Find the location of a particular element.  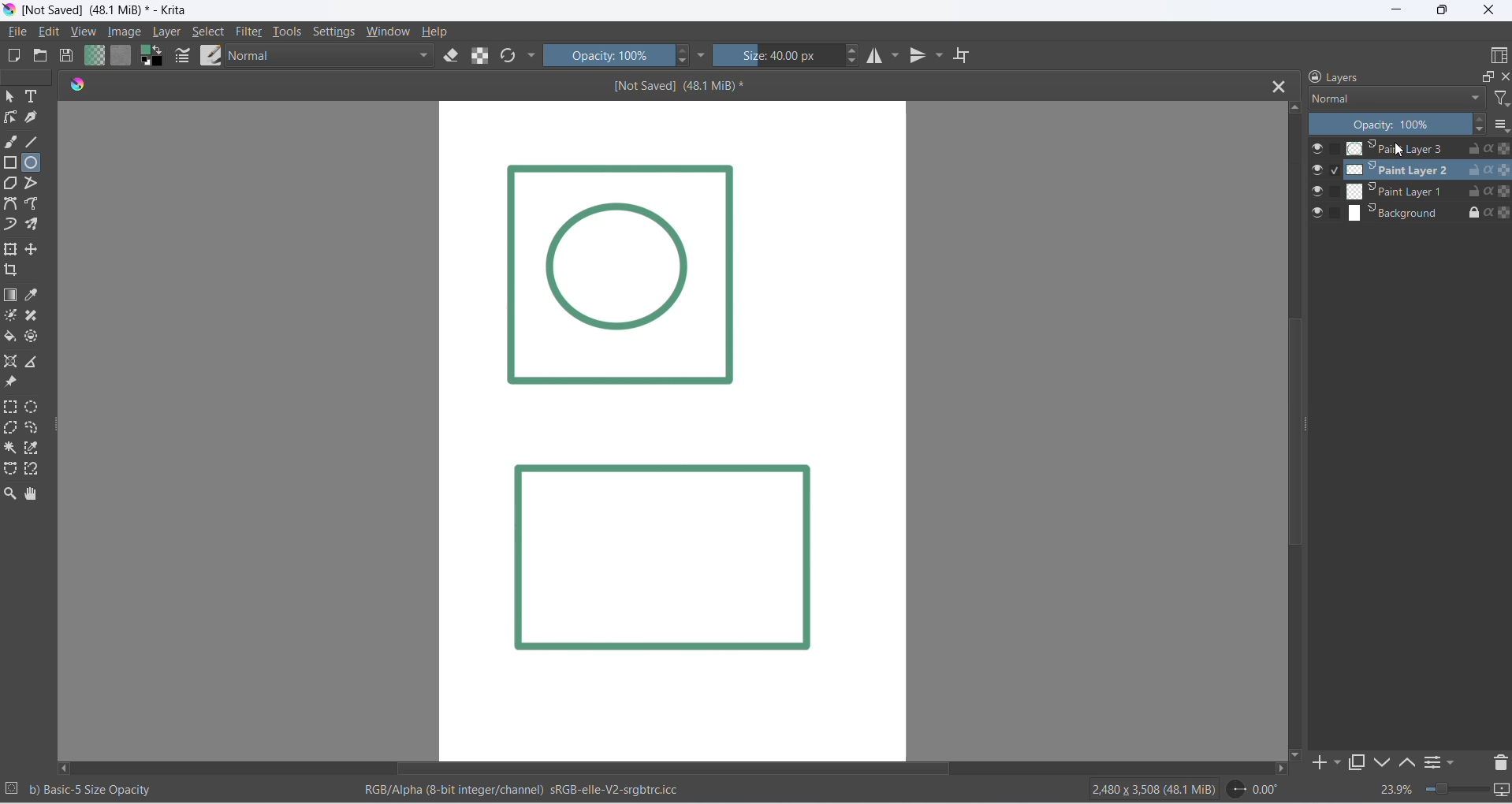

fill patterns is located at coordinates (121, 57).